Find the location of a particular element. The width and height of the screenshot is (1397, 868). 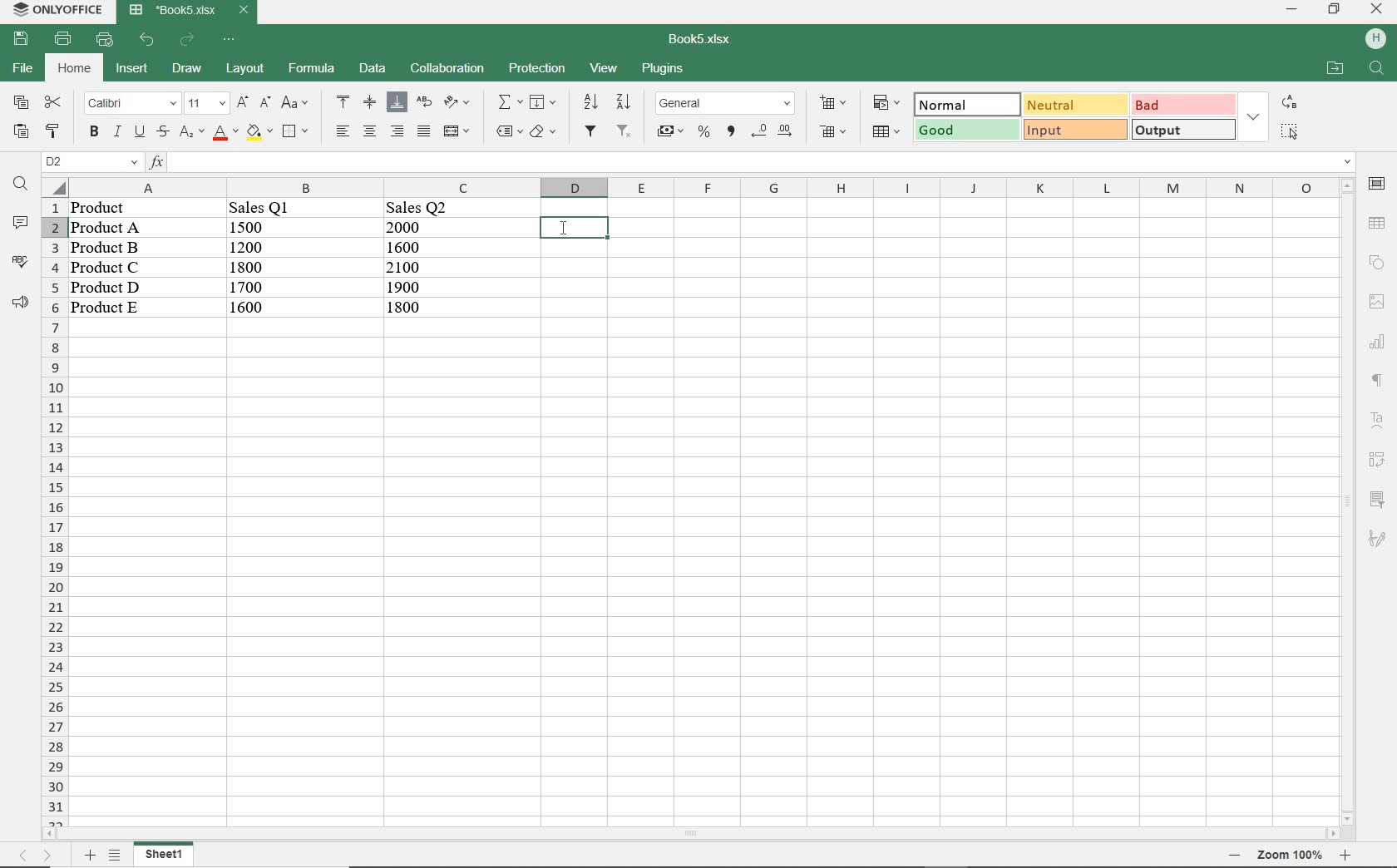

data is located at coordinates (370, 67).